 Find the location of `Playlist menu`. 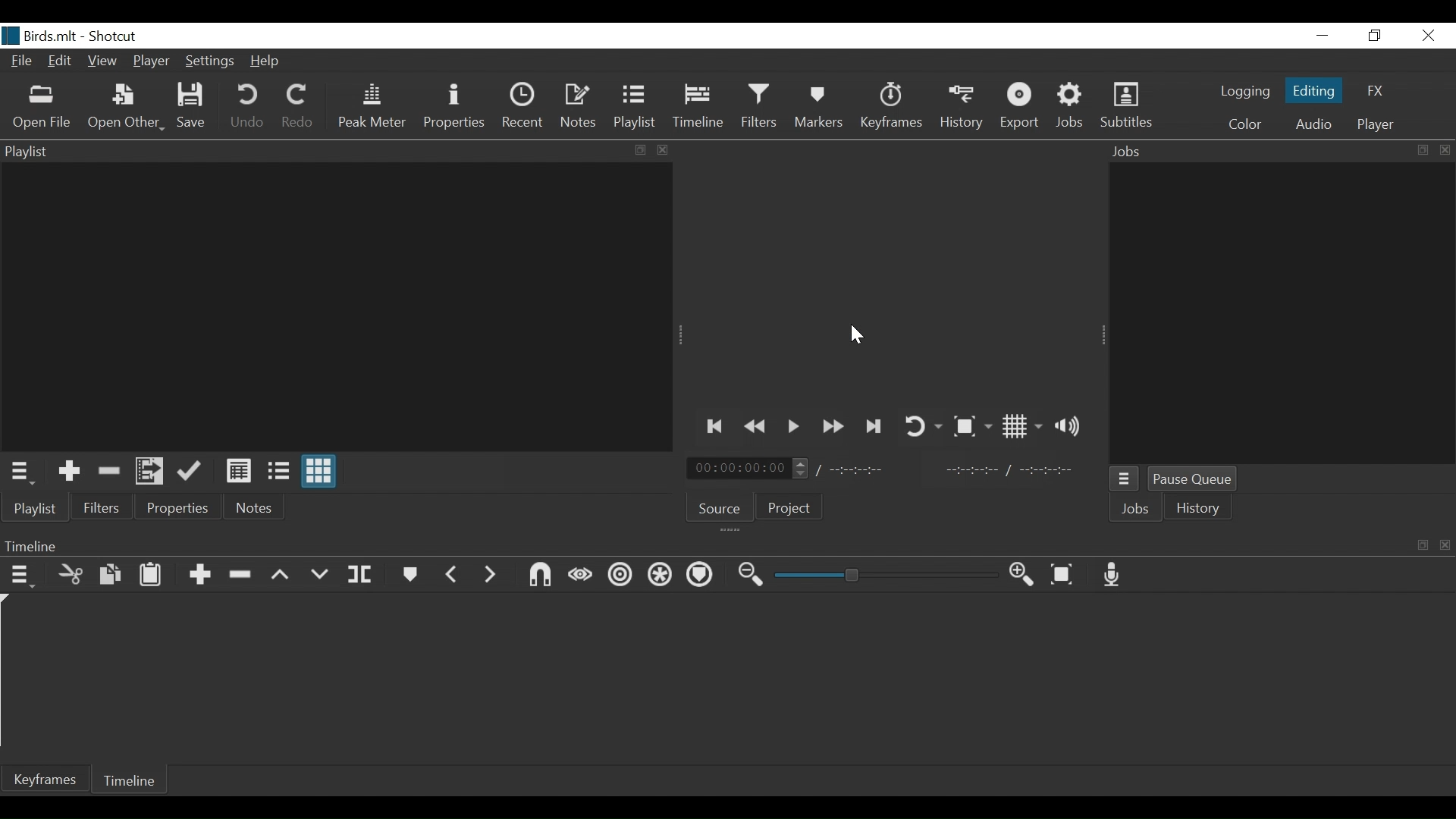

Playlist menu is located at coordinates (42, 509).